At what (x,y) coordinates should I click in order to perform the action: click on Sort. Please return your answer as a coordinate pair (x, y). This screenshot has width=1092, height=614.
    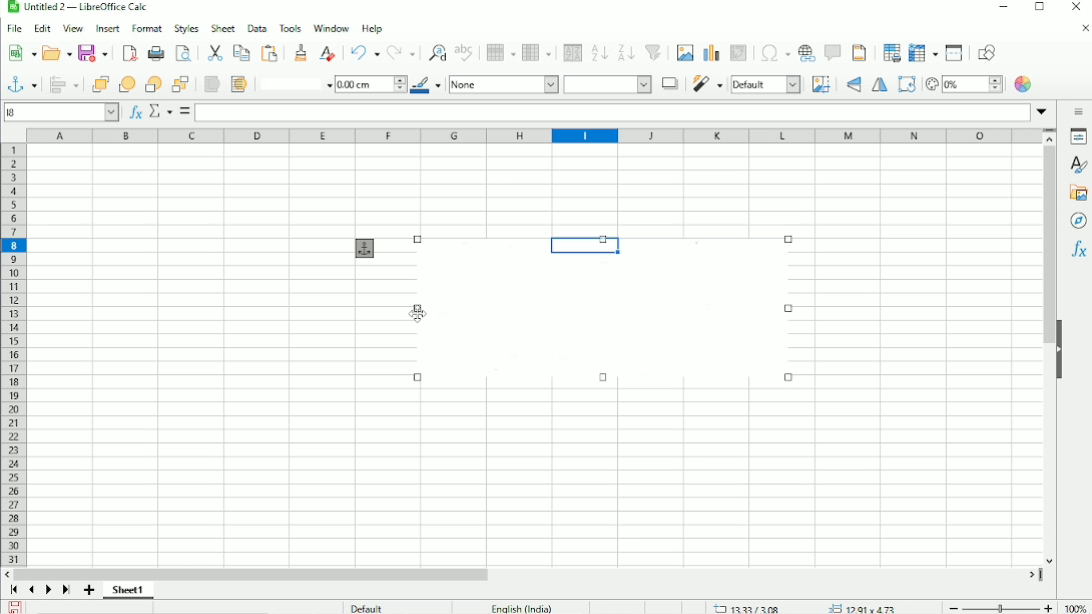
    Looking at the image, I should click on (570, 52).